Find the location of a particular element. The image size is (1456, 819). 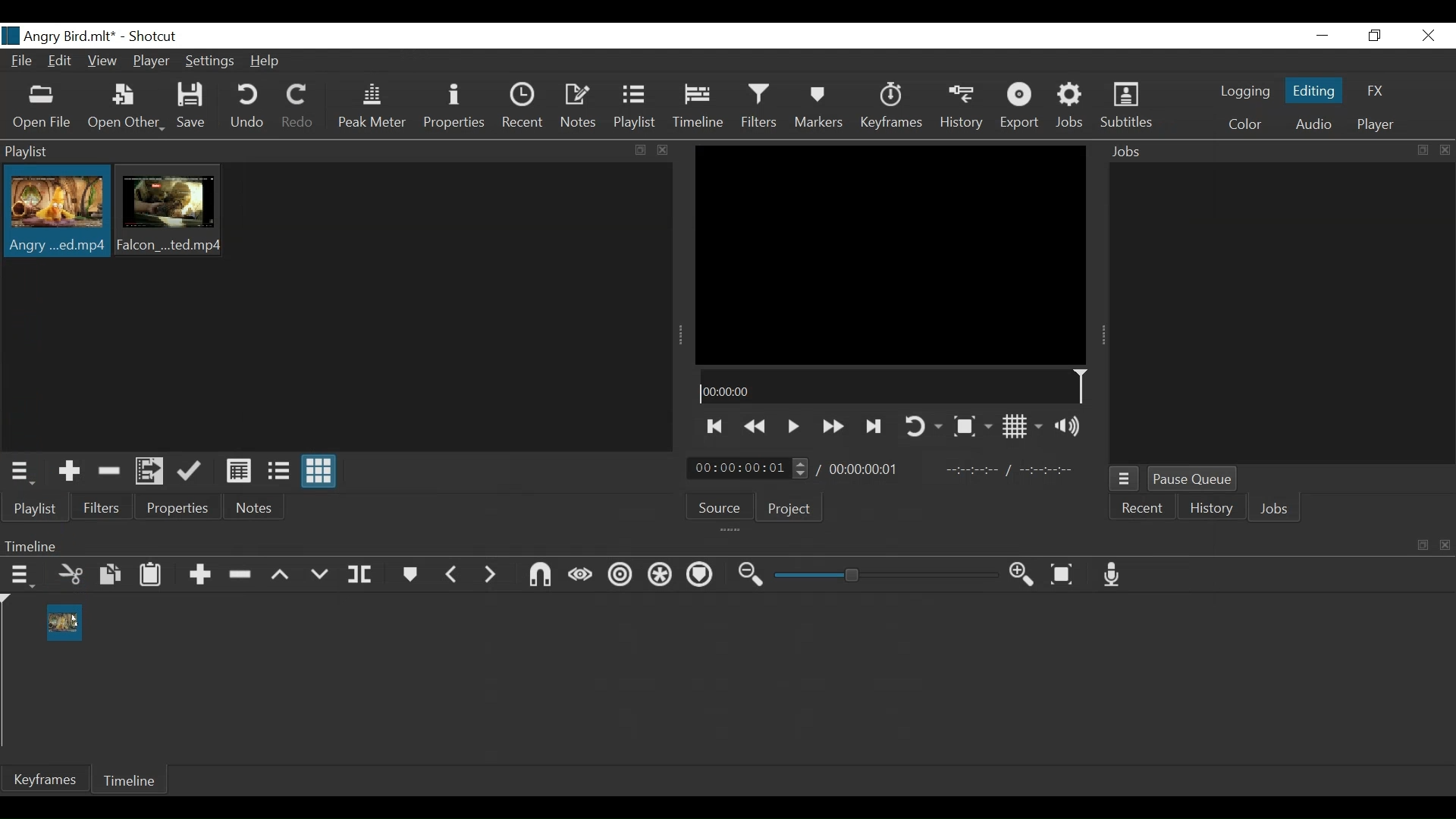

Copy is located at coordinates (112, 575).